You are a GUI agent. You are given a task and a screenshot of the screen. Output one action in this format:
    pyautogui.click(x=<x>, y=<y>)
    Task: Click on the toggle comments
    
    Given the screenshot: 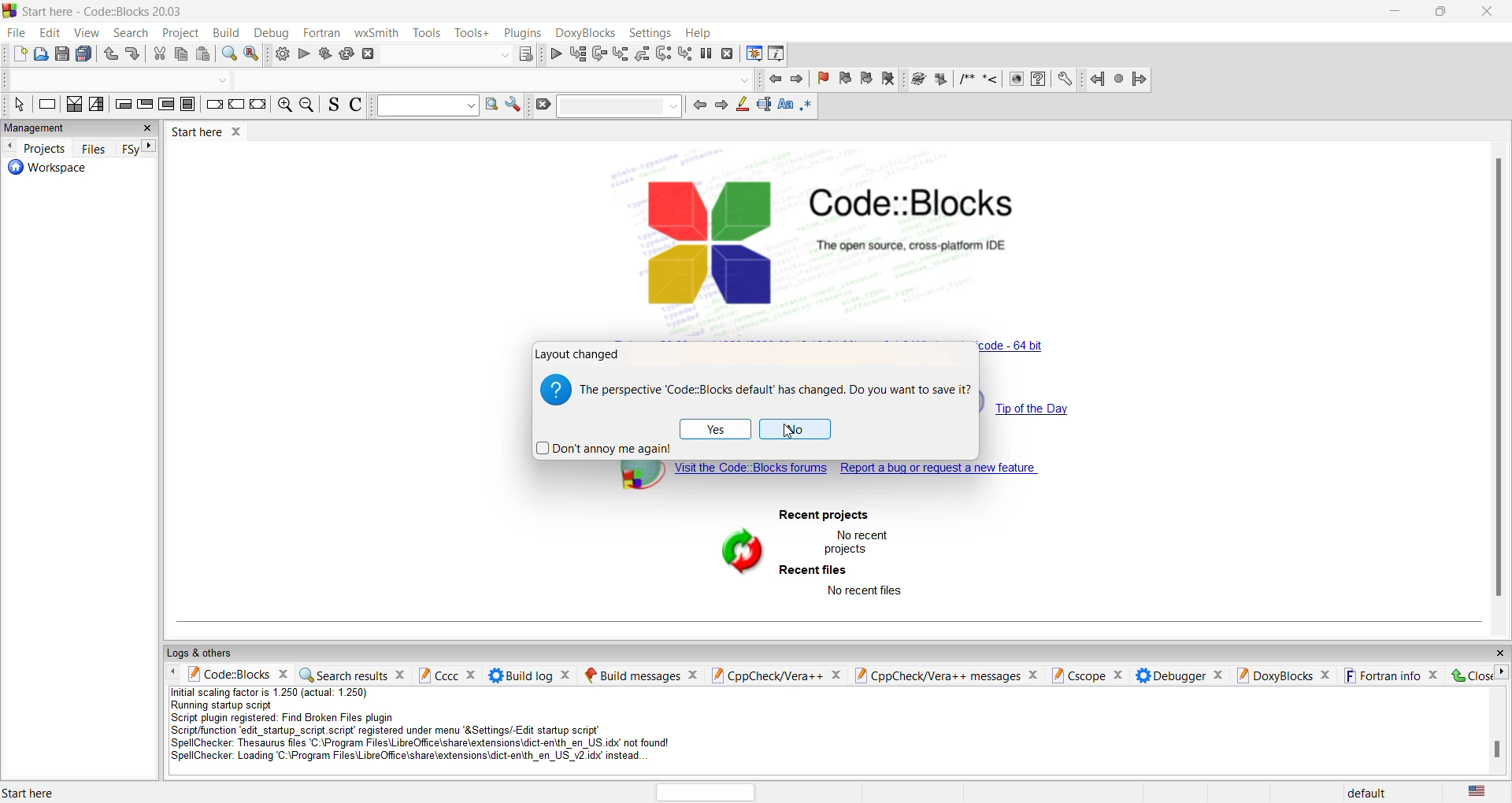 What is the action you would take?
    pyautogui.click(x=358, y=106)
    